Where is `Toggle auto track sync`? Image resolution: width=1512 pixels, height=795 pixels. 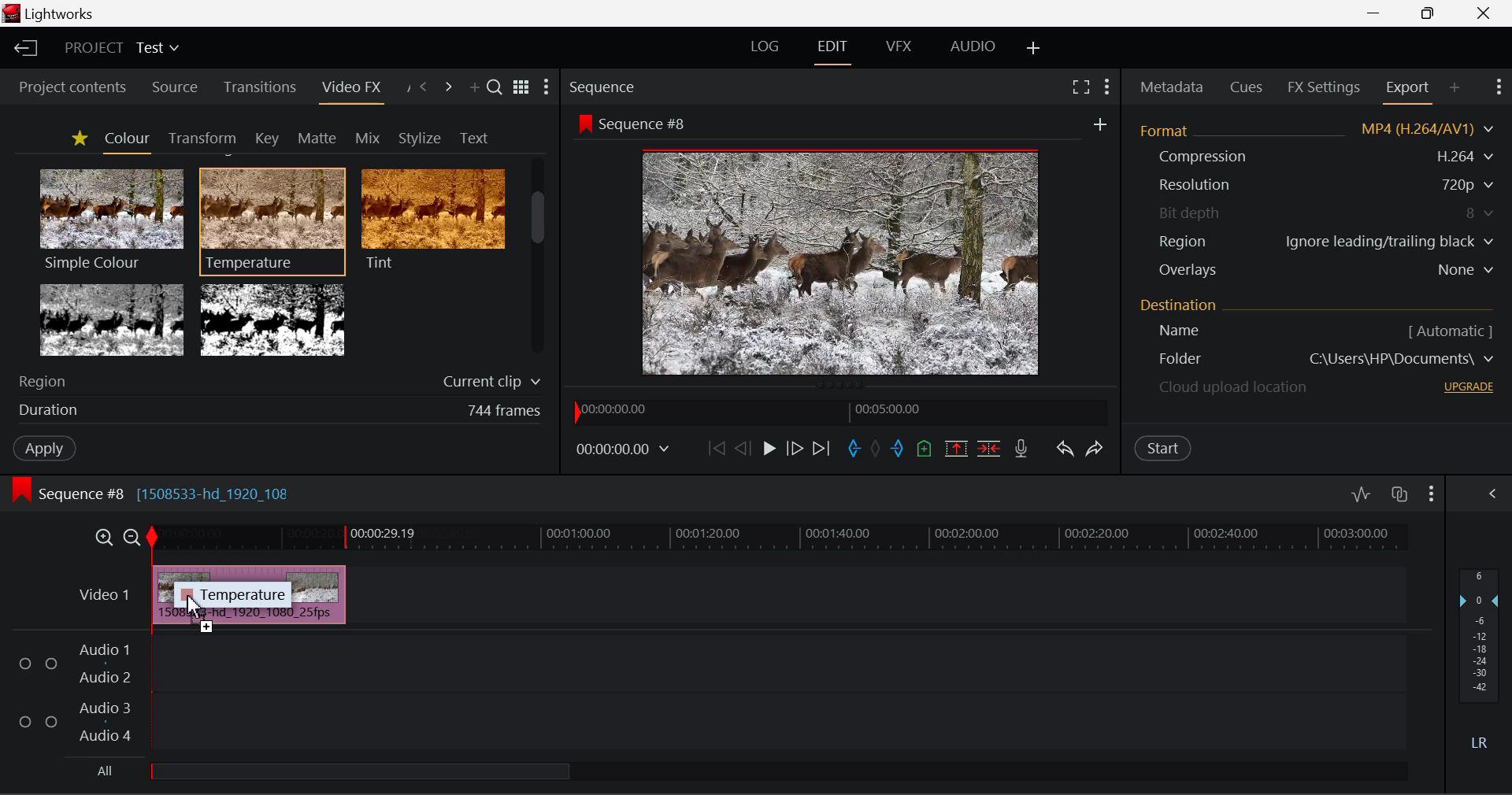
Toggle auto track sync is located at coordinates (1399, 494).